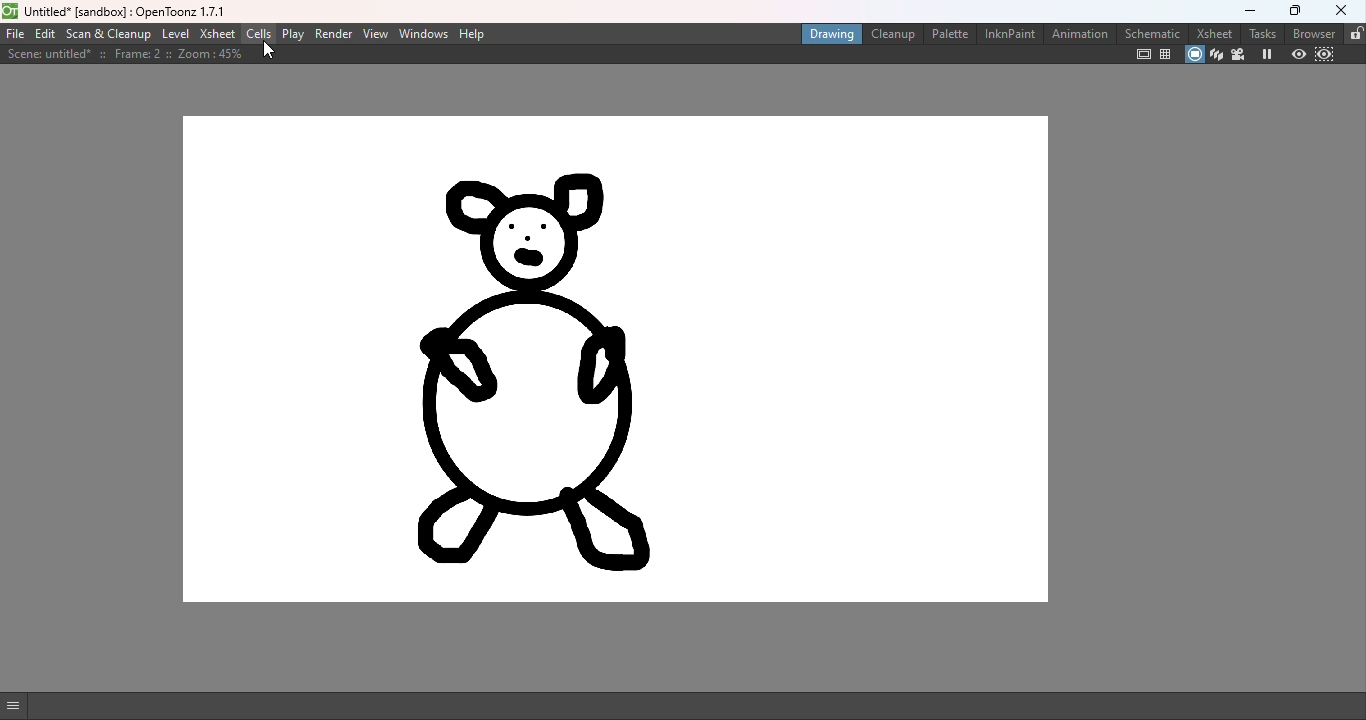 Image resolution: width=1366 pixels, height=720 pixels. What do you see at coordinates (1355, 33) in the screenshot?
I see `Rooms tab` at bounding box center [1355, 33].